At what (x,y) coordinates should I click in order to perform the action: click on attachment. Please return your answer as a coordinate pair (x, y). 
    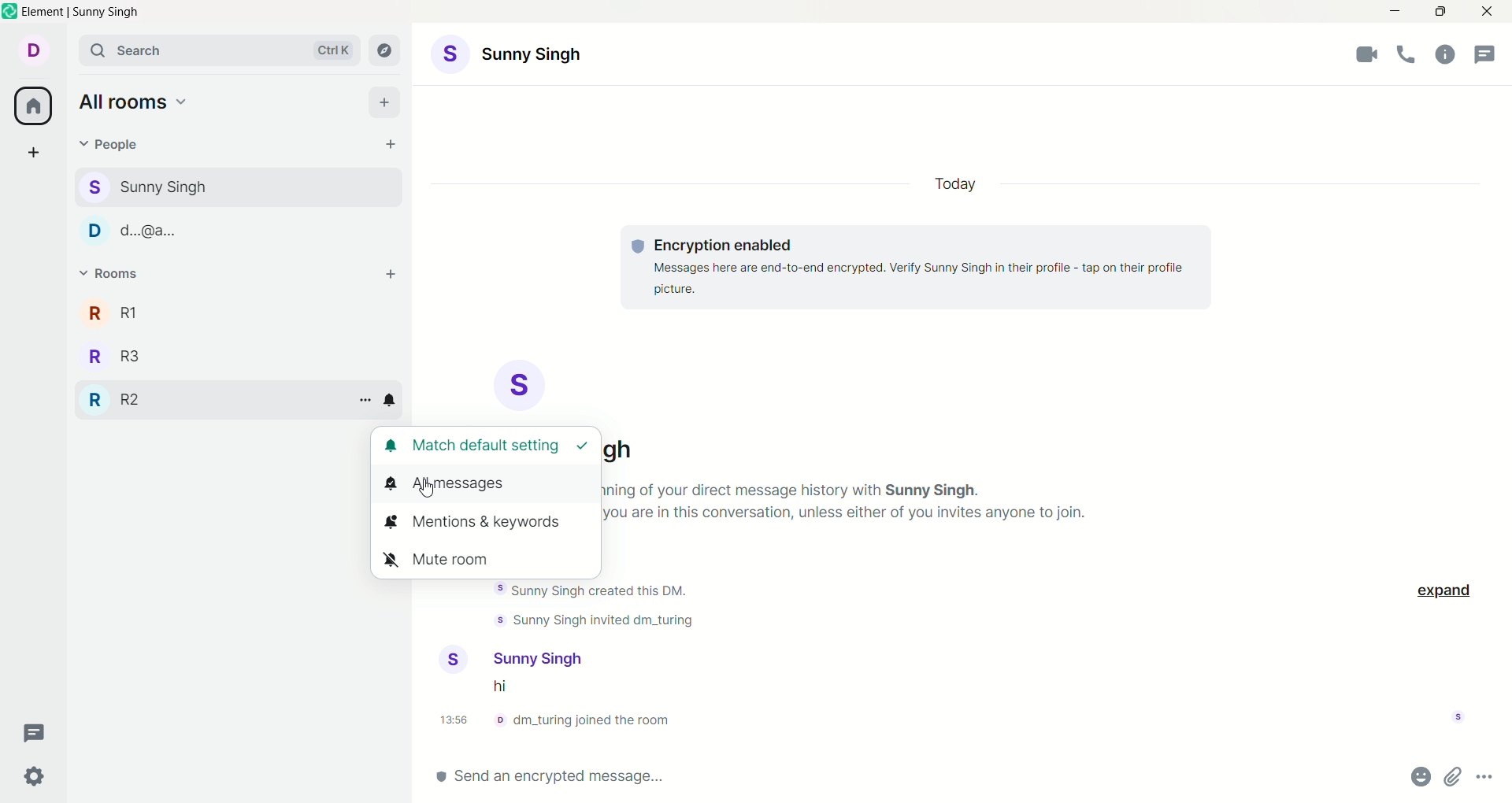
    Looking at the image, I should click on (1455, 776).